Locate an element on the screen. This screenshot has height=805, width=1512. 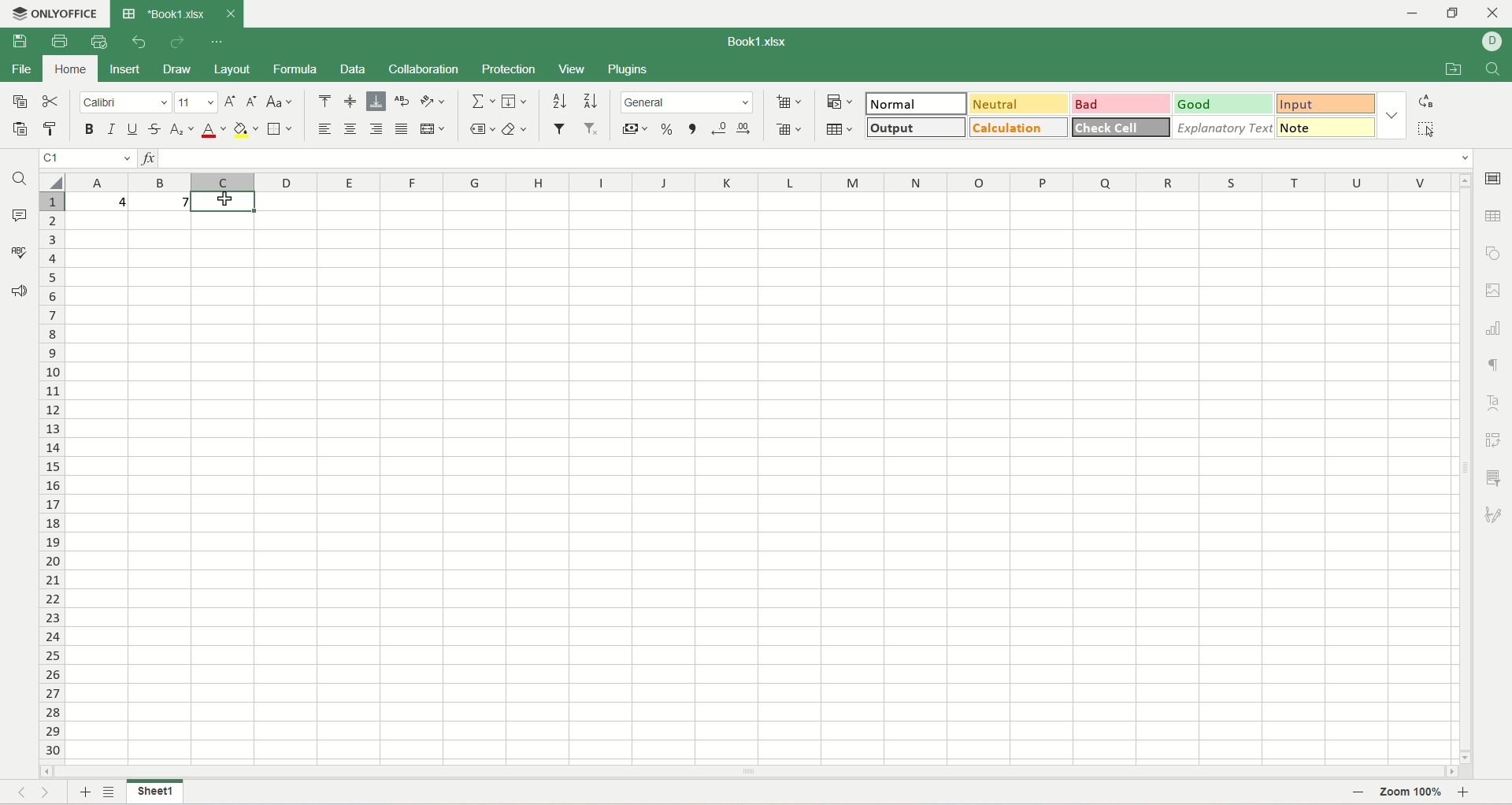
image settings is located at coordinates (1494, 291).